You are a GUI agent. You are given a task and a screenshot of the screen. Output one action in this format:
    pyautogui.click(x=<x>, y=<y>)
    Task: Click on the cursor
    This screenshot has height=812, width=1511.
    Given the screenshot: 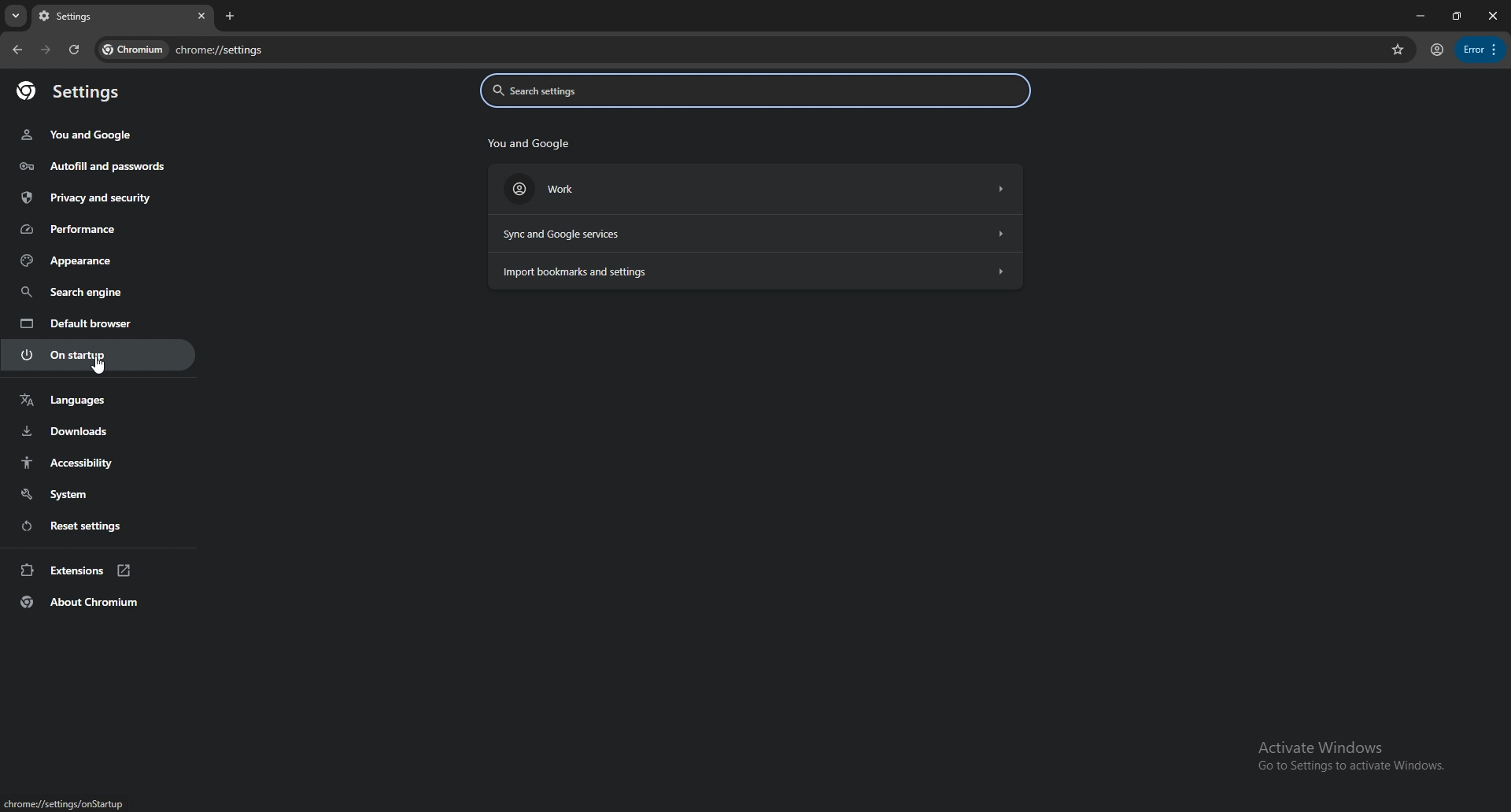 What is the action you would take?
    pyautogui.click(x=101, y=367)
    